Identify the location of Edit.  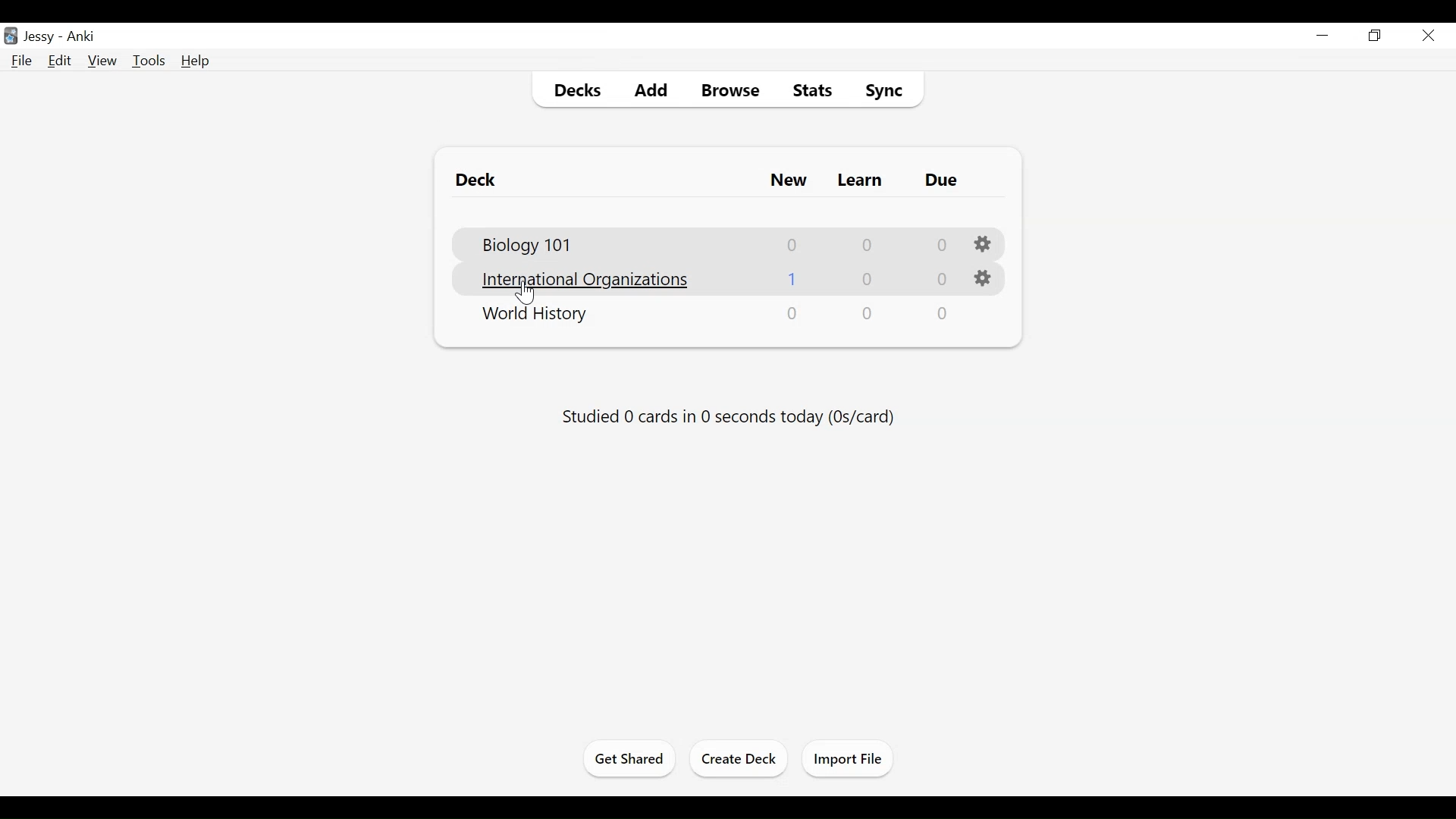
(61, 60).